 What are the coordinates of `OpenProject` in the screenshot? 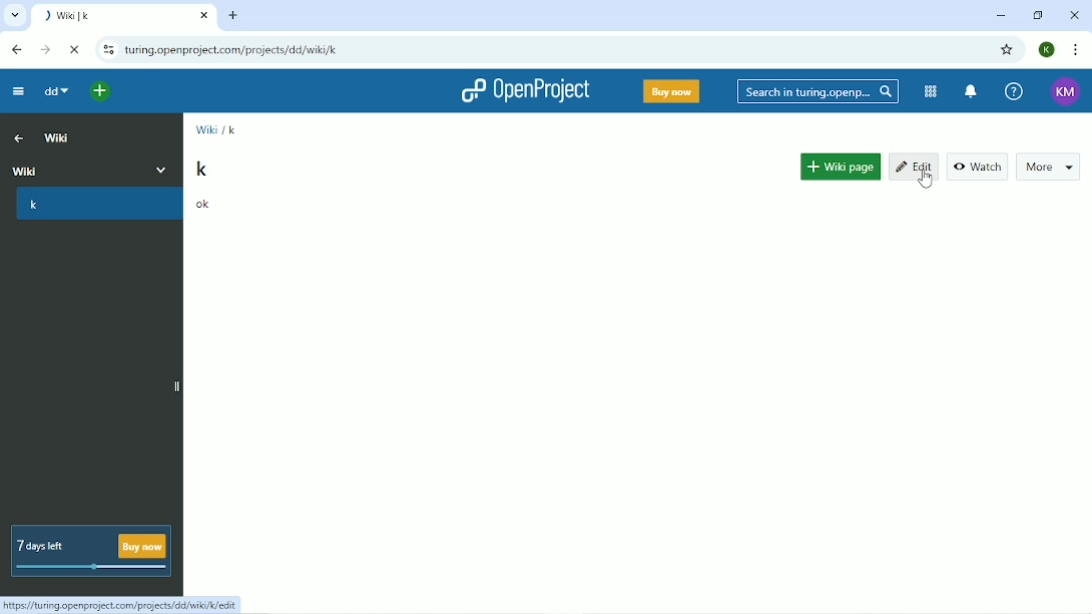 It's located at (525, 93).